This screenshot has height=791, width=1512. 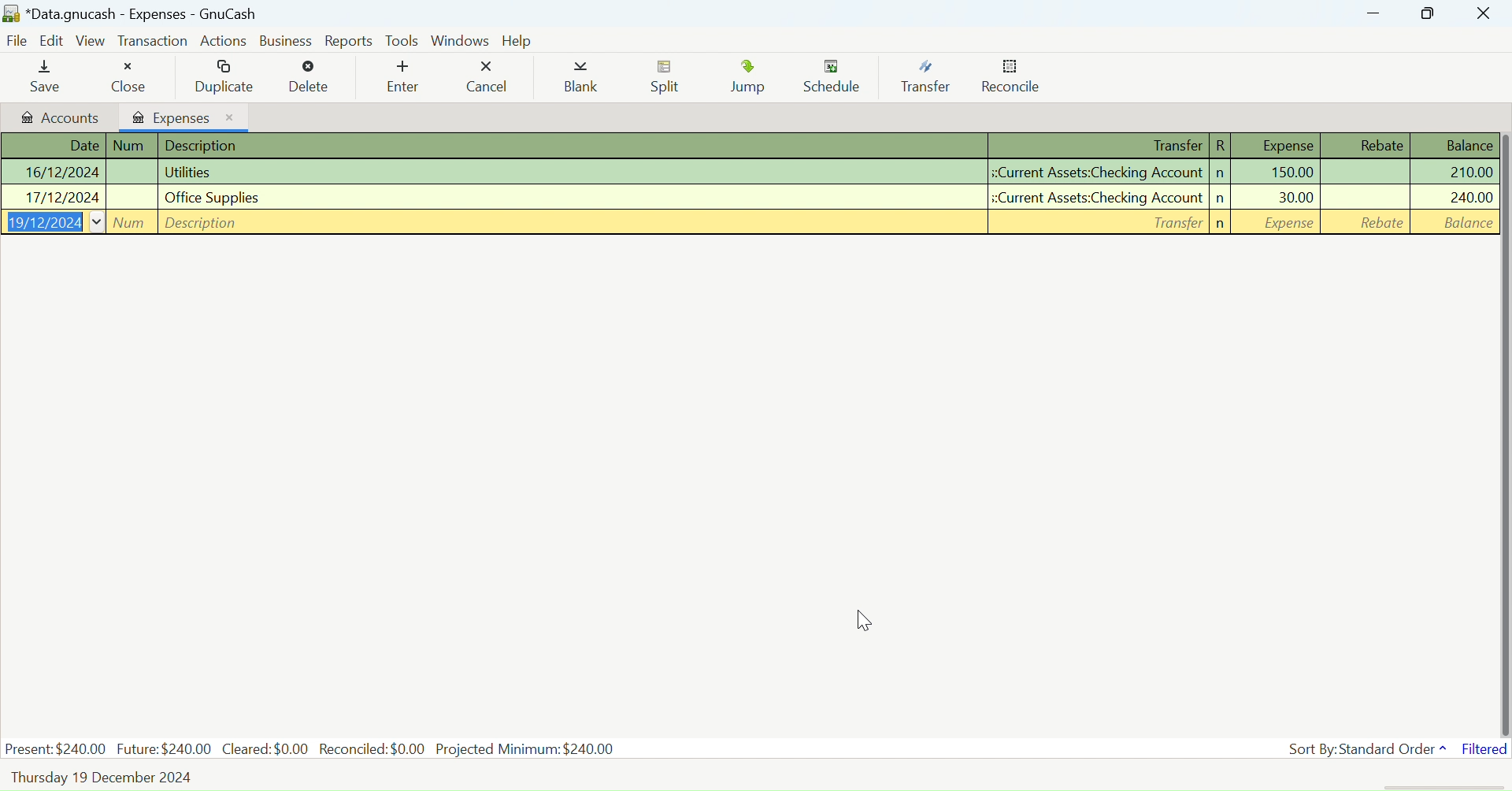 What do you see at coordinates (669, 79) in the screenshot?
I see `Split` at bounding box center [669, 79].